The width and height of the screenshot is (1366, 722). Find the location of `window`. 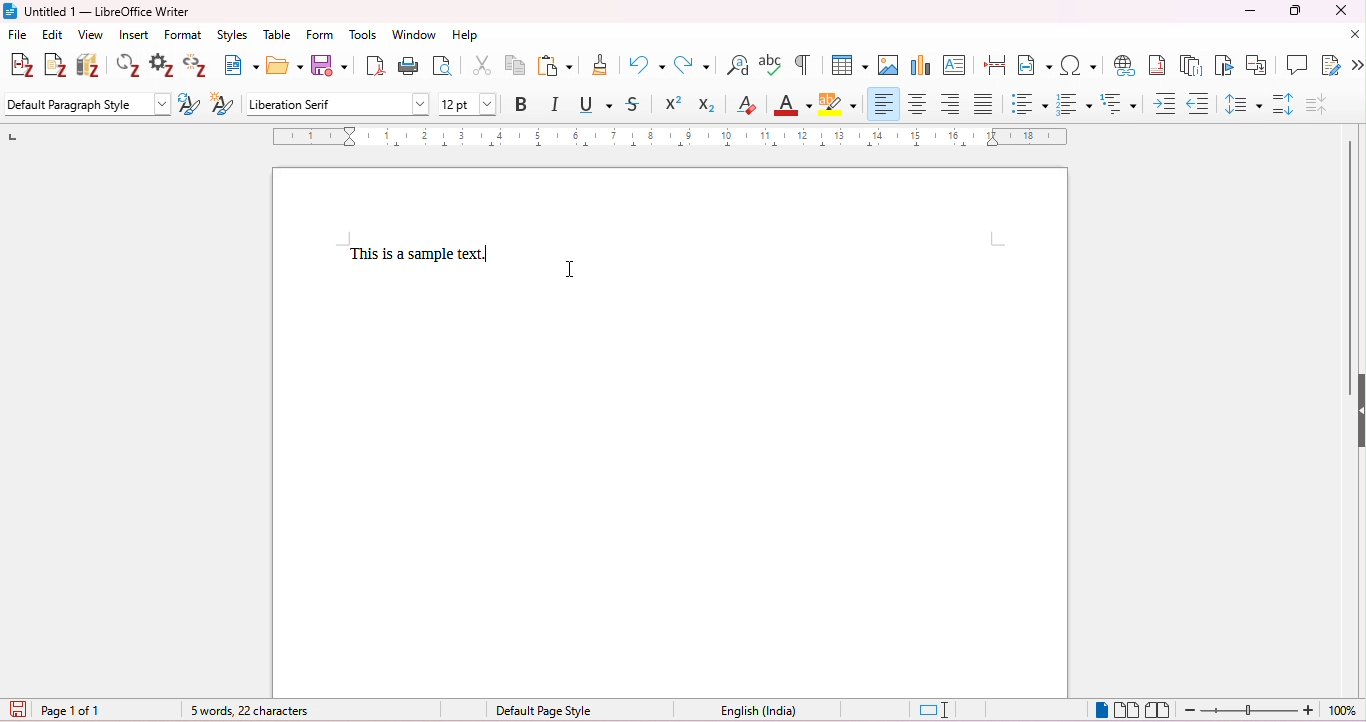

window is located at coordinates (416, 36).